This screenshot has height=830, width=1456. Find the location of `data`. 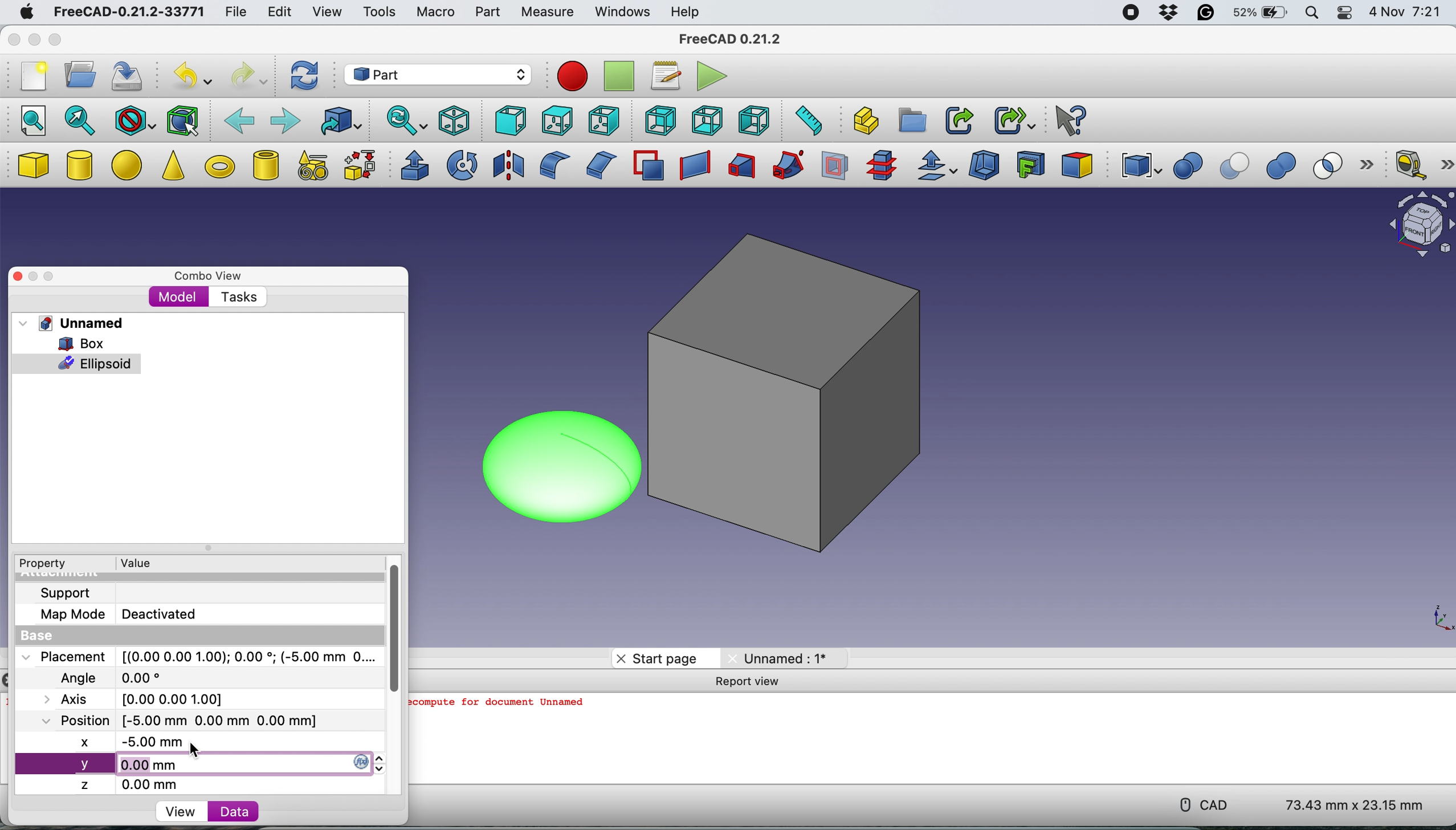

data is located at coordinates (227, 811).